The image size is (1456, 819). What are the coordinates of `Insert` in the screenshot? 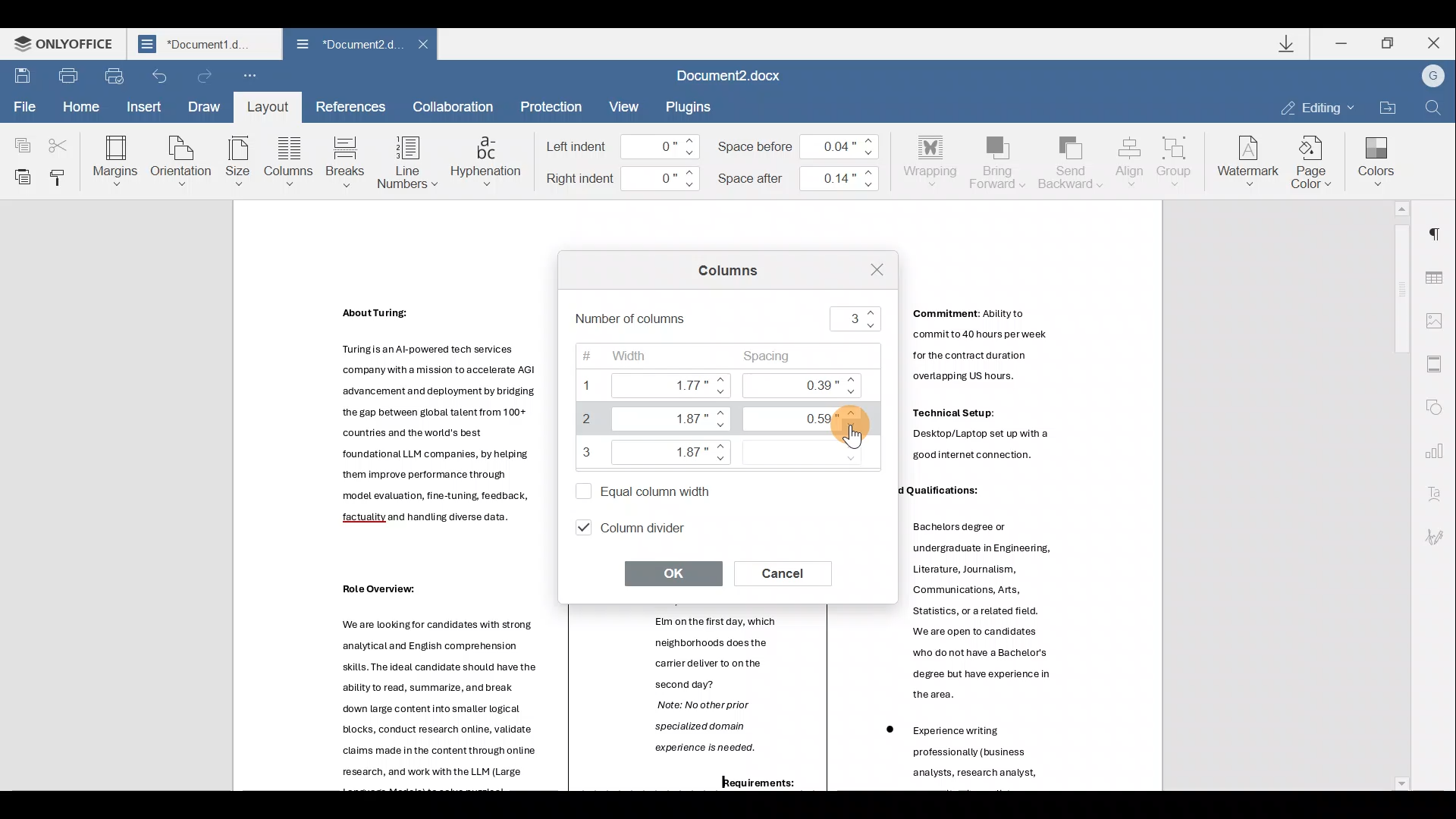 It's located at (141, 107).